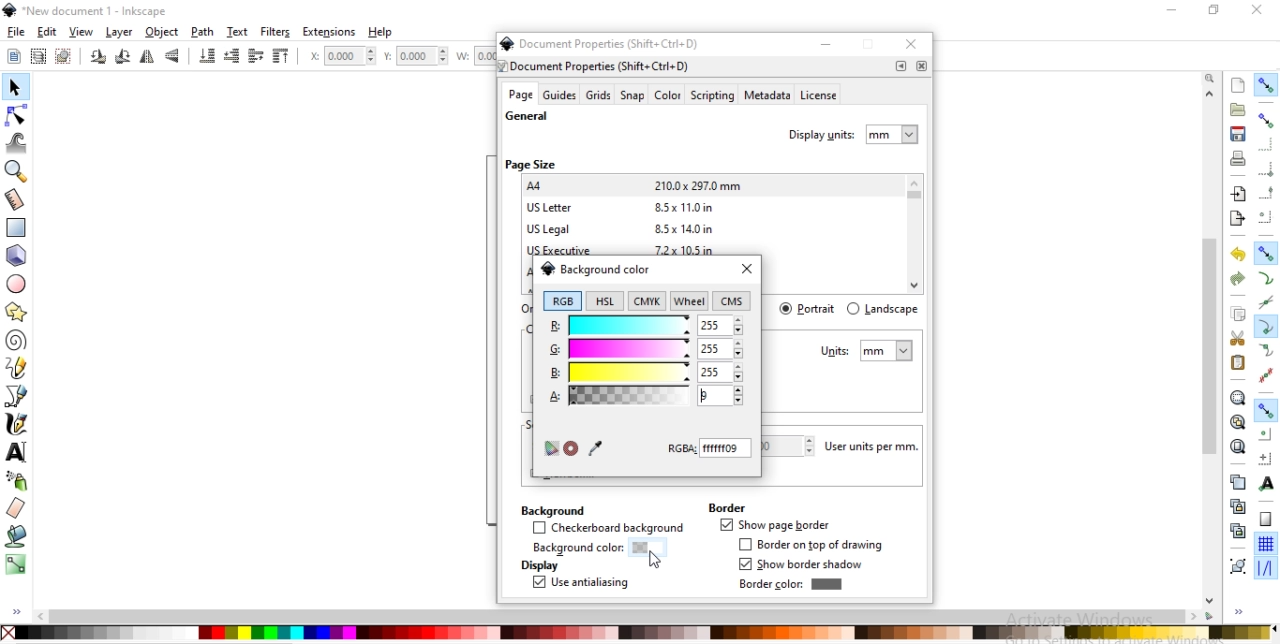 The width and height of the screenshot is (1280, 644). I want to click on grids, so click(598, 95).